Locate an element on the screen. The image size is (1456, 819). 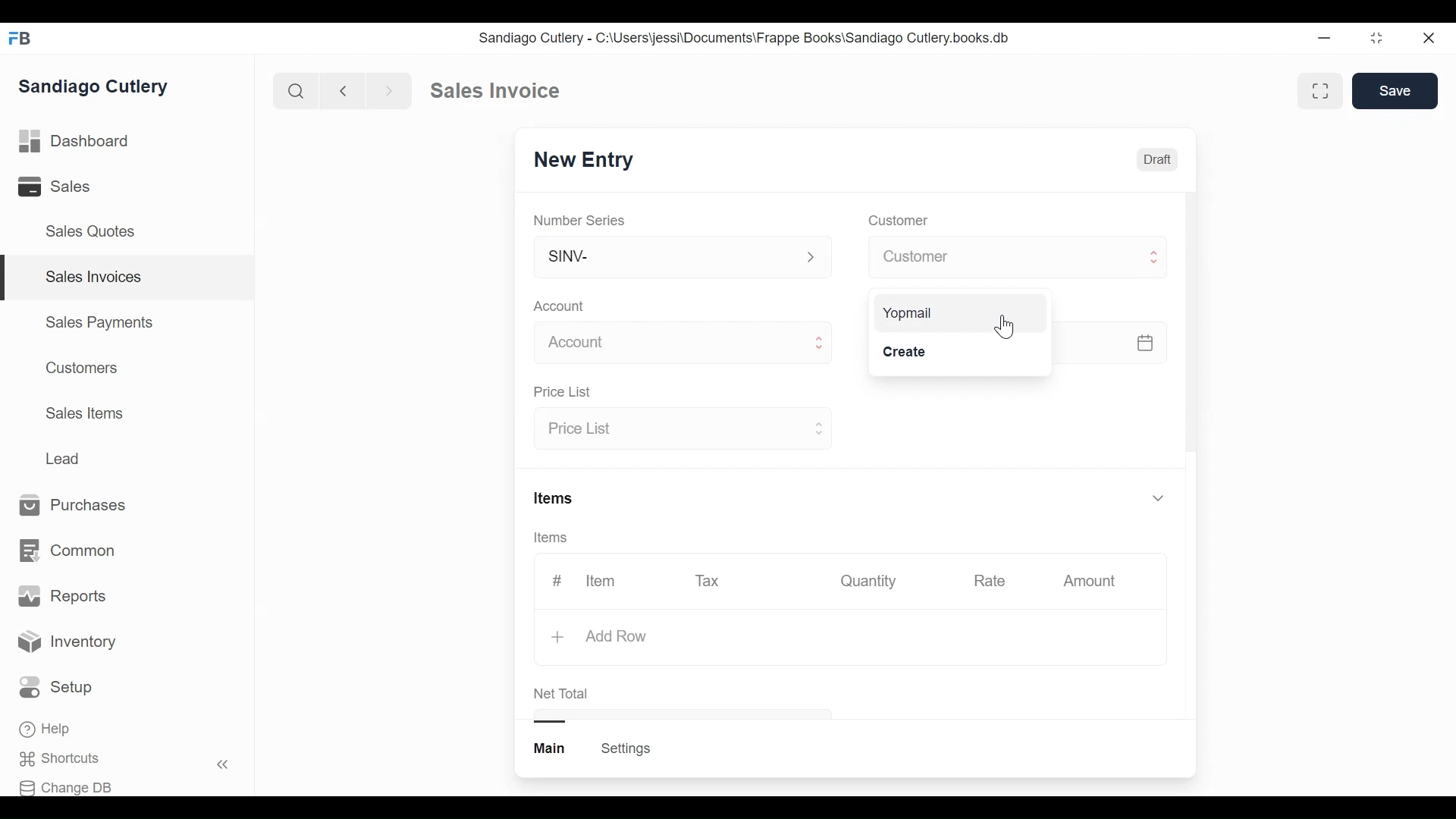
Dashboard is located at coordinates (75, 140).